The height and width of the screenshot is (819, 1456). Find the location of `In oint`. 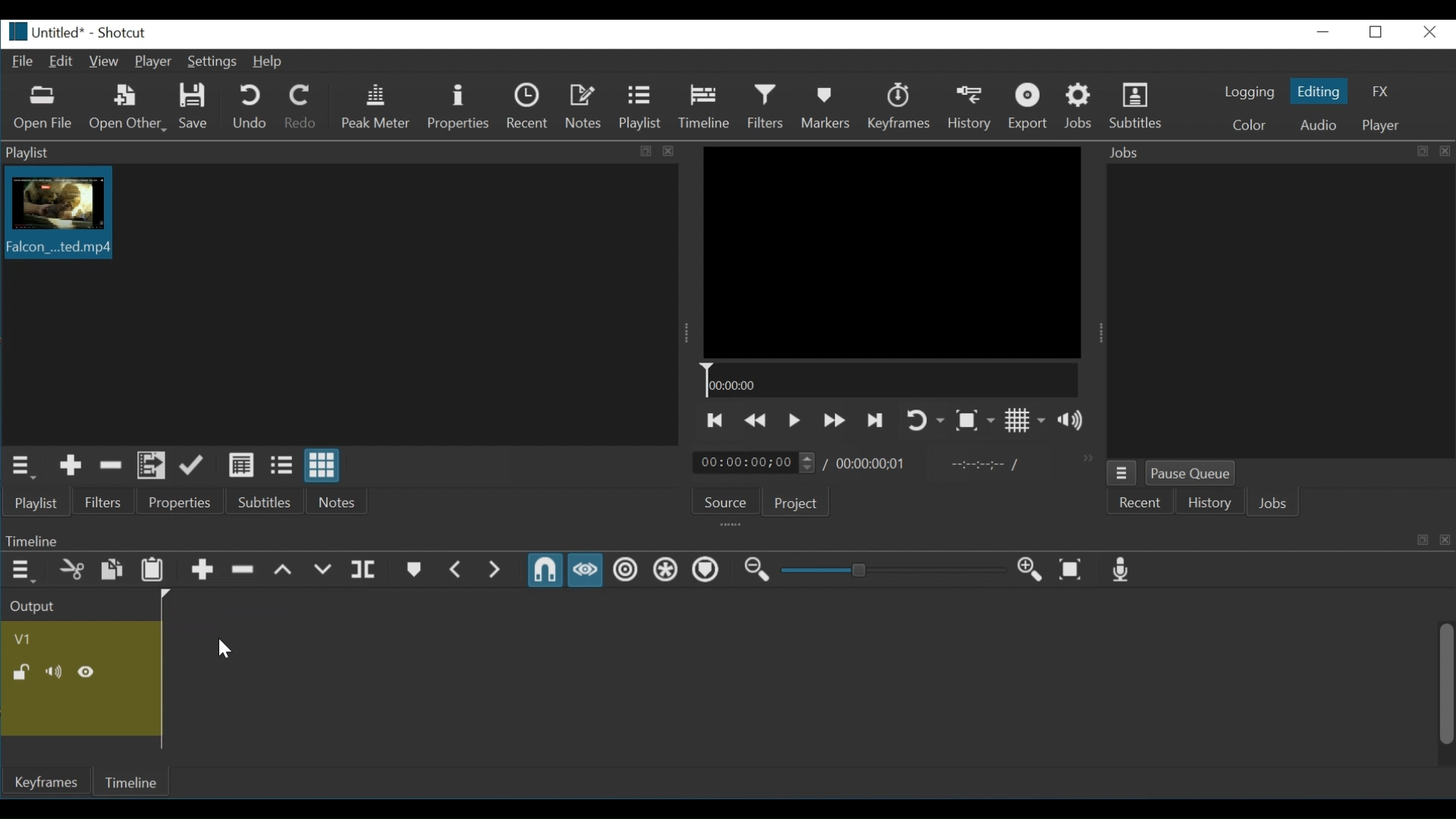

In oint is located at coordinates (981, 466).